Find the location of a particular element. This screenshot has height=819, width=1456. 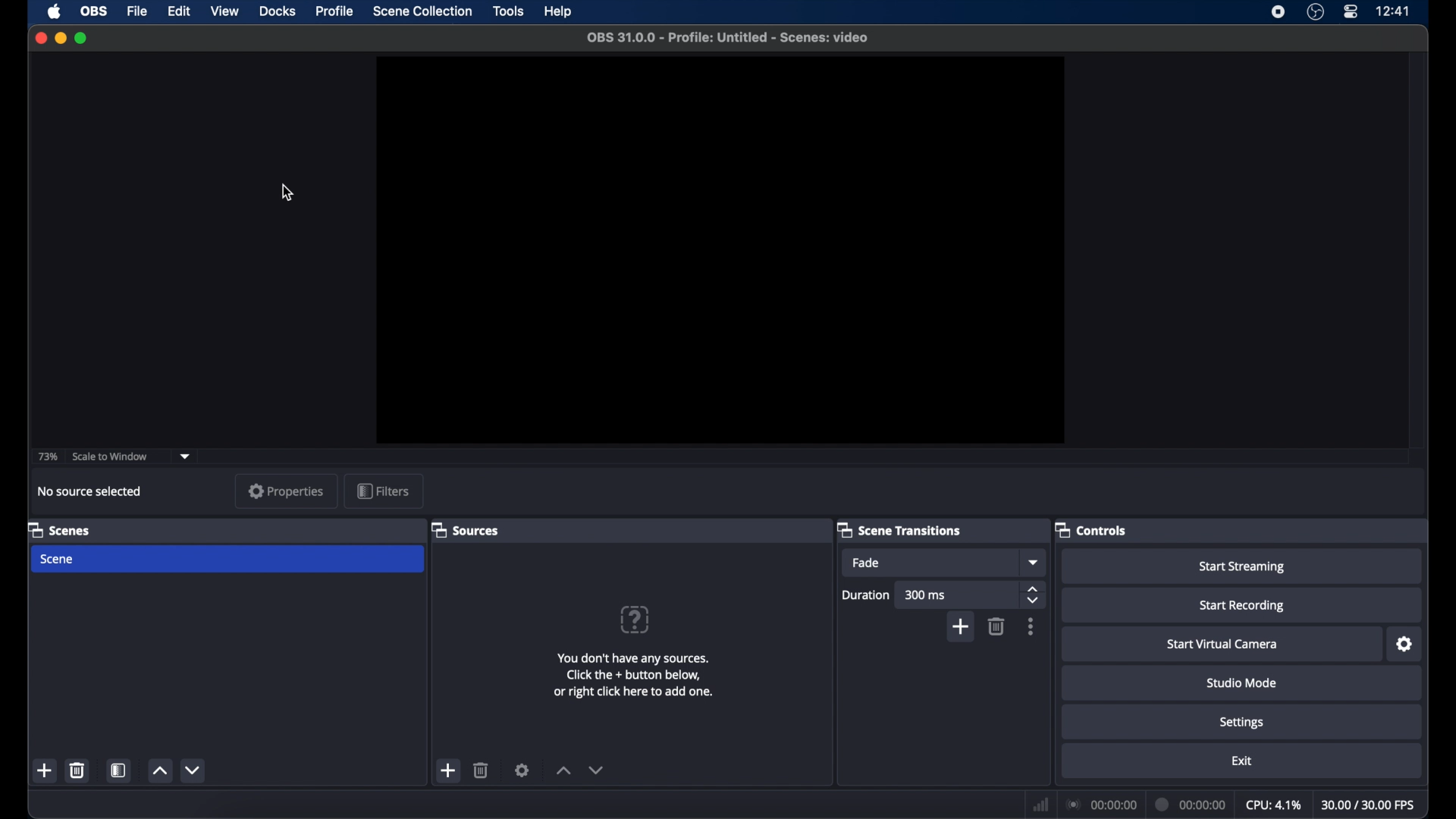

tools is located at coordinates (508, 11).